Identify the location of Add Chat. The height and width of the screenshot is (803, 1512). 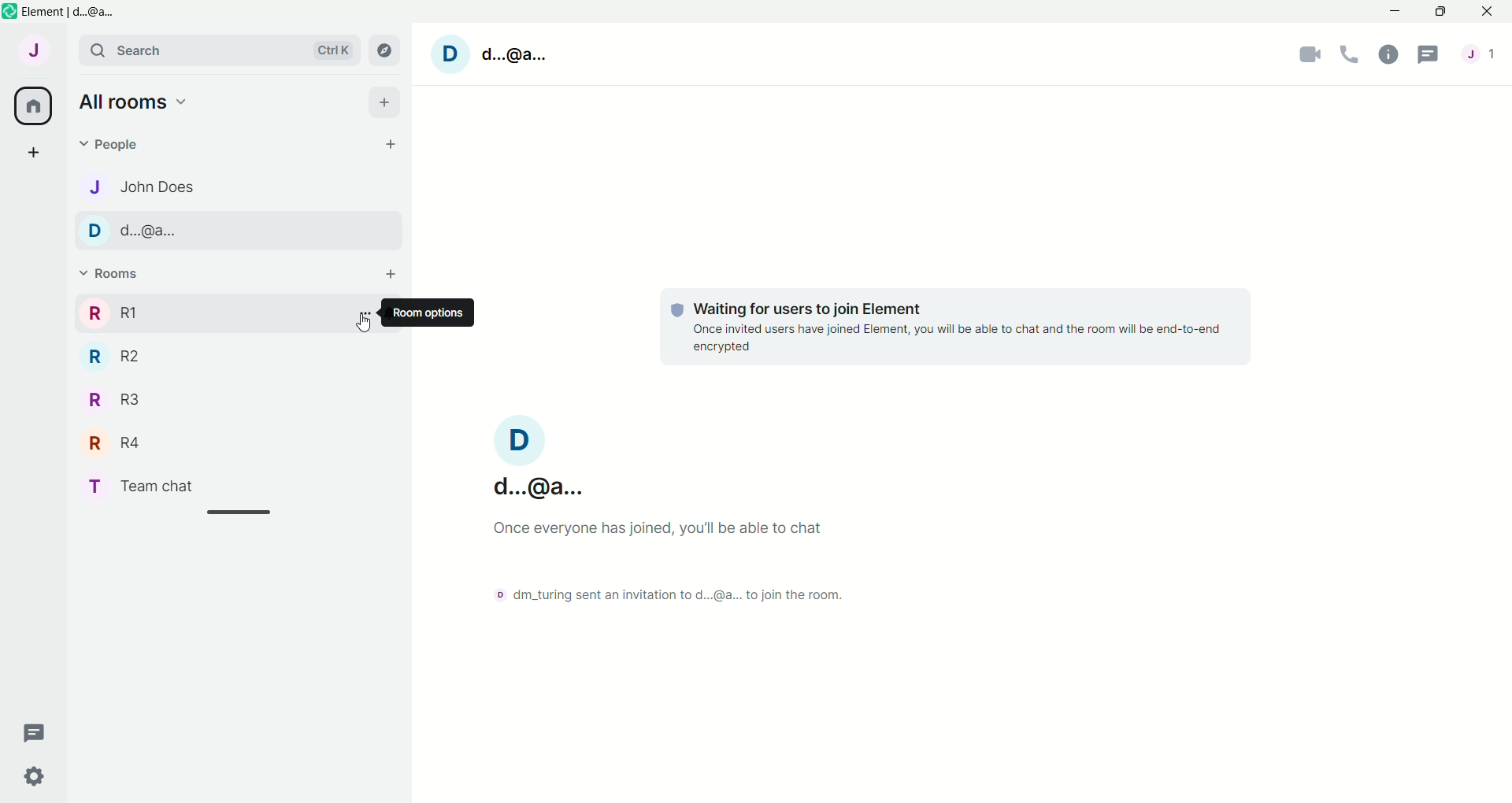
(37, 154).